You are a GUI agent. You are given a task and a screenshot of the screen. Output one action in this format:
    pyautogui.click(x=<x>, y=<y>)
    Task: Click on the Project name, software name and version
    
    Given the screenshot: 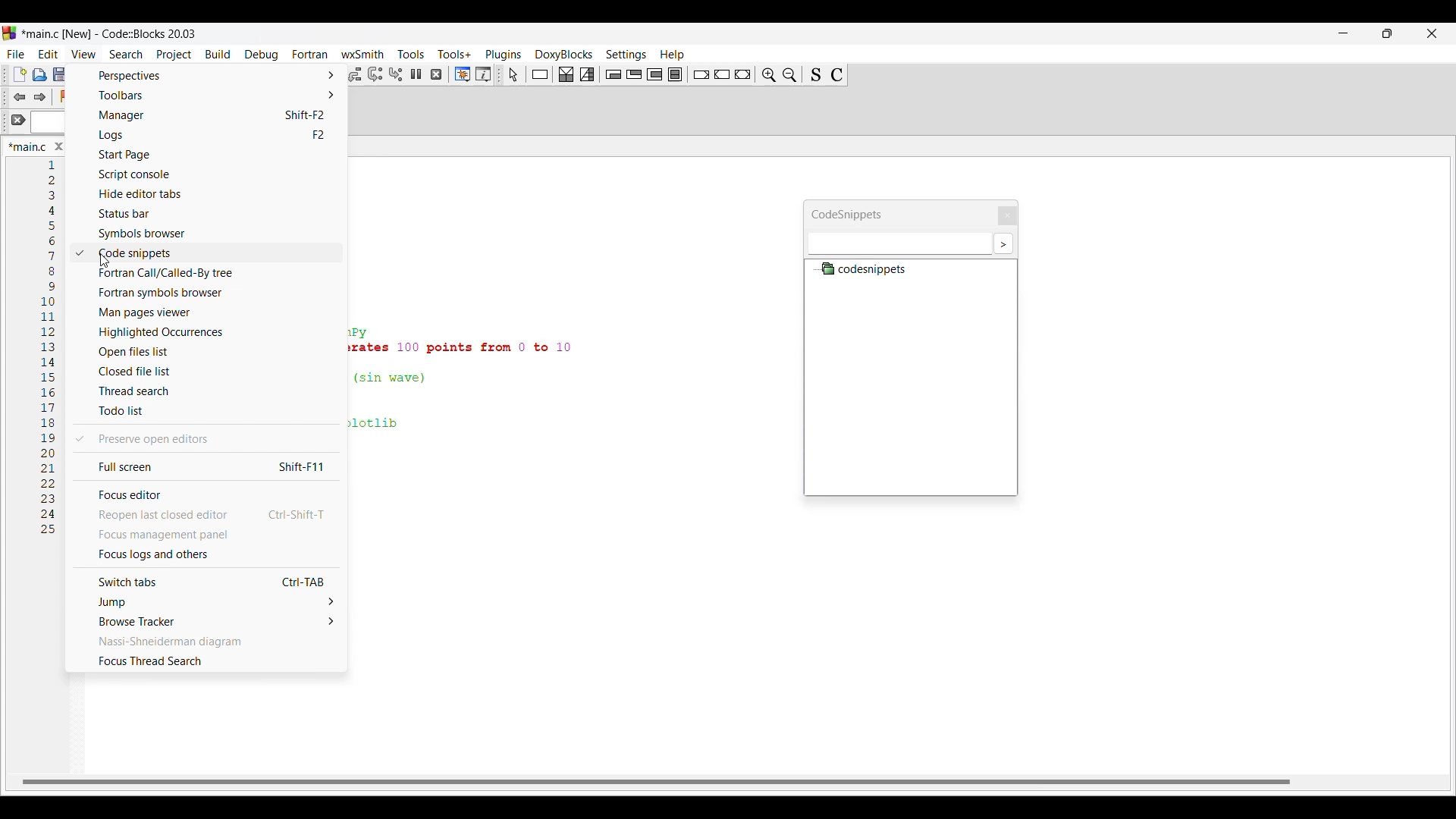 What is the action you would take?
    pyautogui.click(x=110, y=33)
    